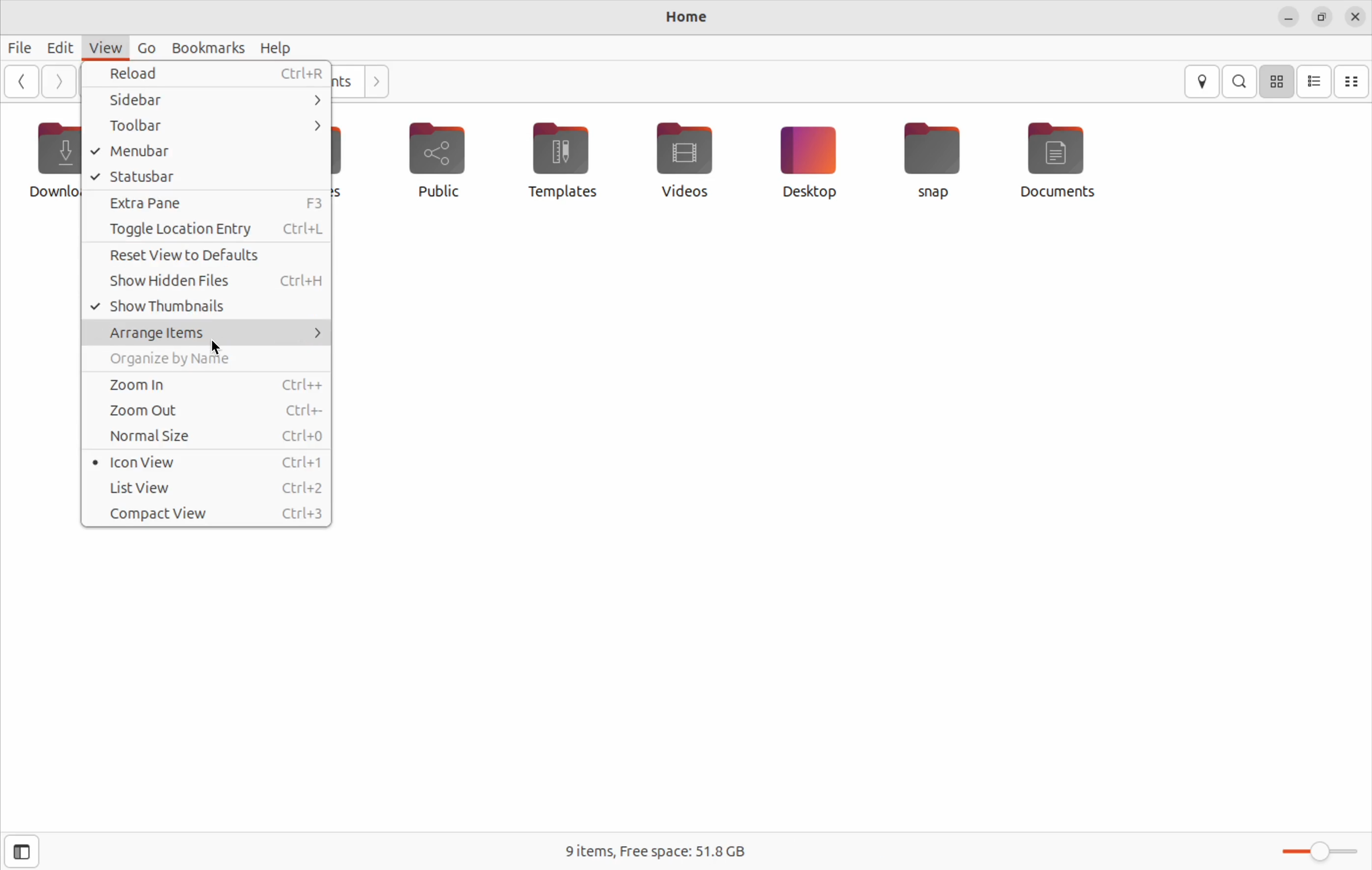 The width and height of the screenshot is (1372, 870). Describe the element at coordinates (220, 99) in the screenshot. I see `side bar` at that location.